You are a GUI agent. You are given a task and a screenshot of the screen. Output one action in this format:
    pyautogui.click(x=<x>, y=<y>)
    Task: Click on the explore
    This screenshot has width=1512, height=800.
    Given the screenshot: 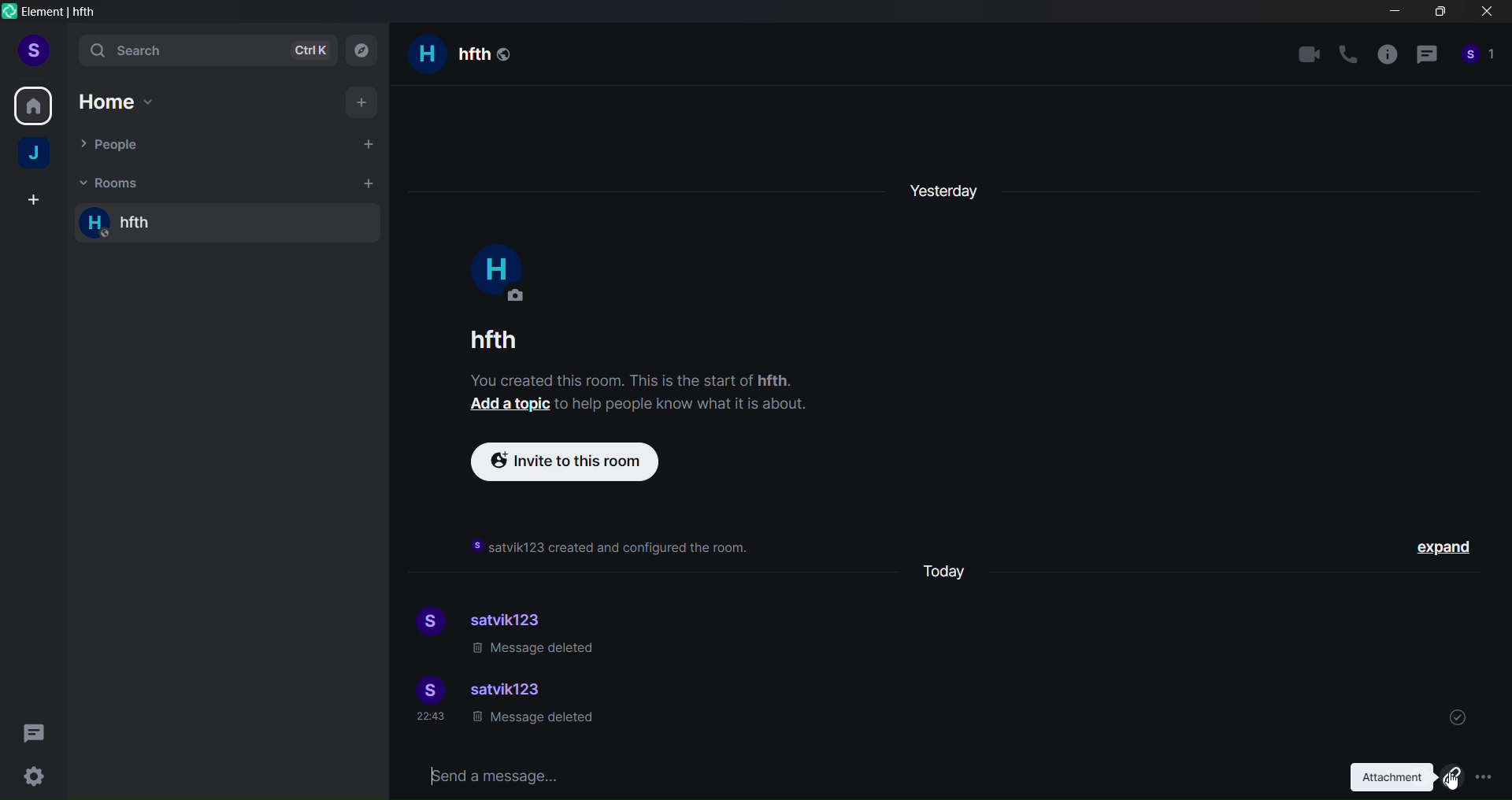 What is the action you would take?
    pyautogui.click(x=366, y=50)
    